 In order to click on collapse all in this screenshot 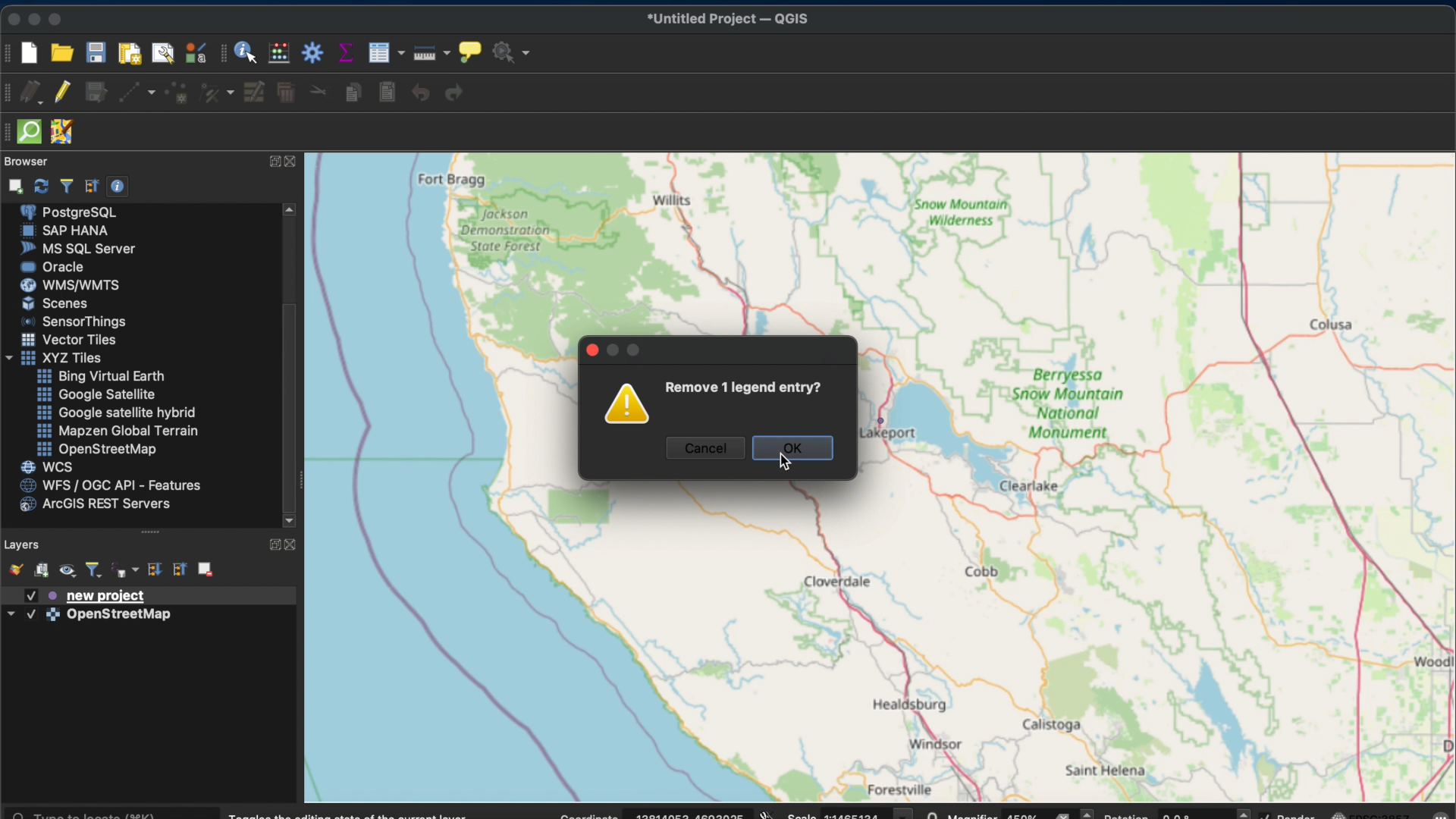, I will do `click(179, 570)`.